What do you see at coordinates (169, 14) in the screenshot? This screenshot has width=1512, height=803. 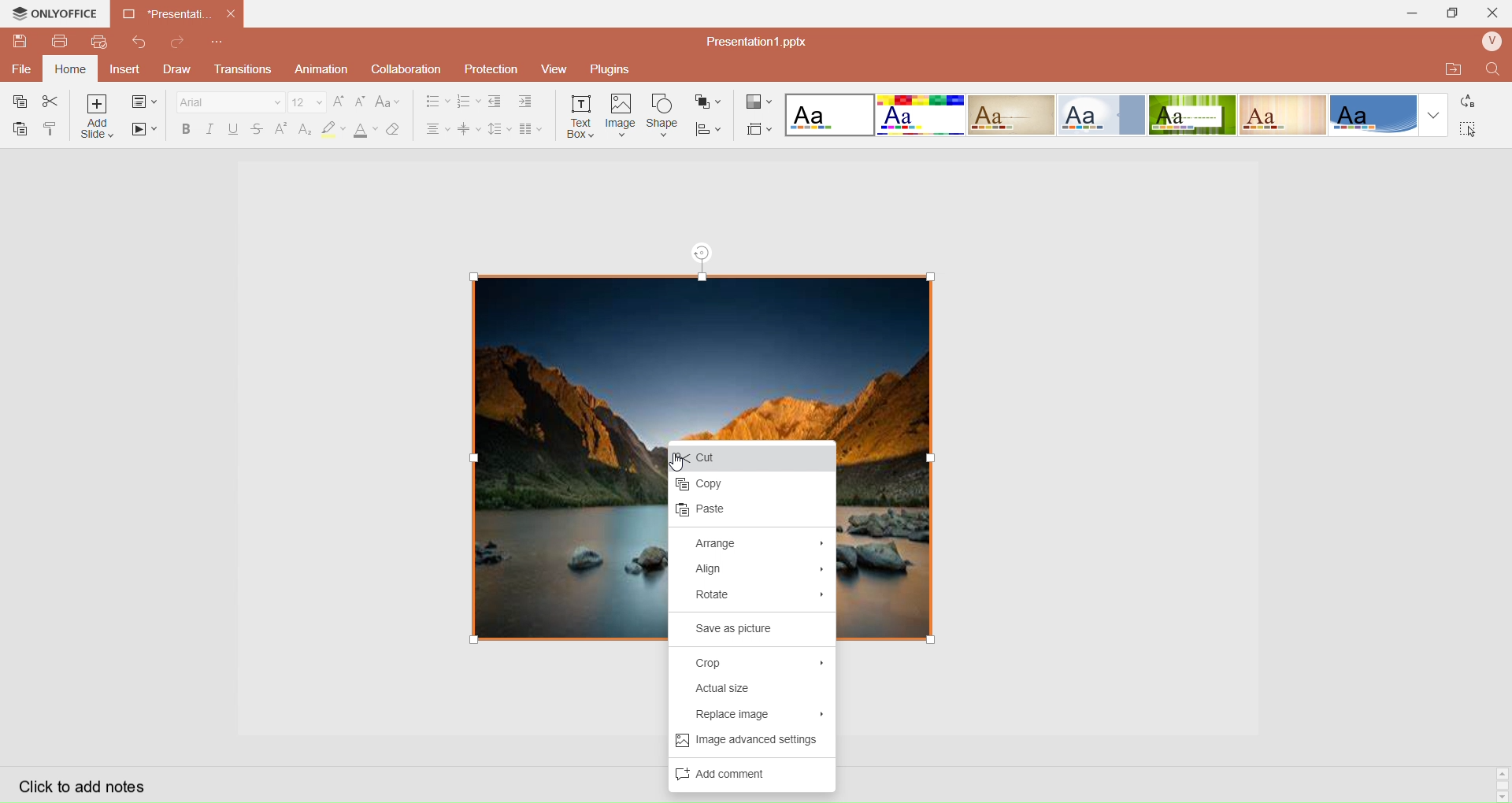 I see `Current open document` at bounding box center [169, 14].